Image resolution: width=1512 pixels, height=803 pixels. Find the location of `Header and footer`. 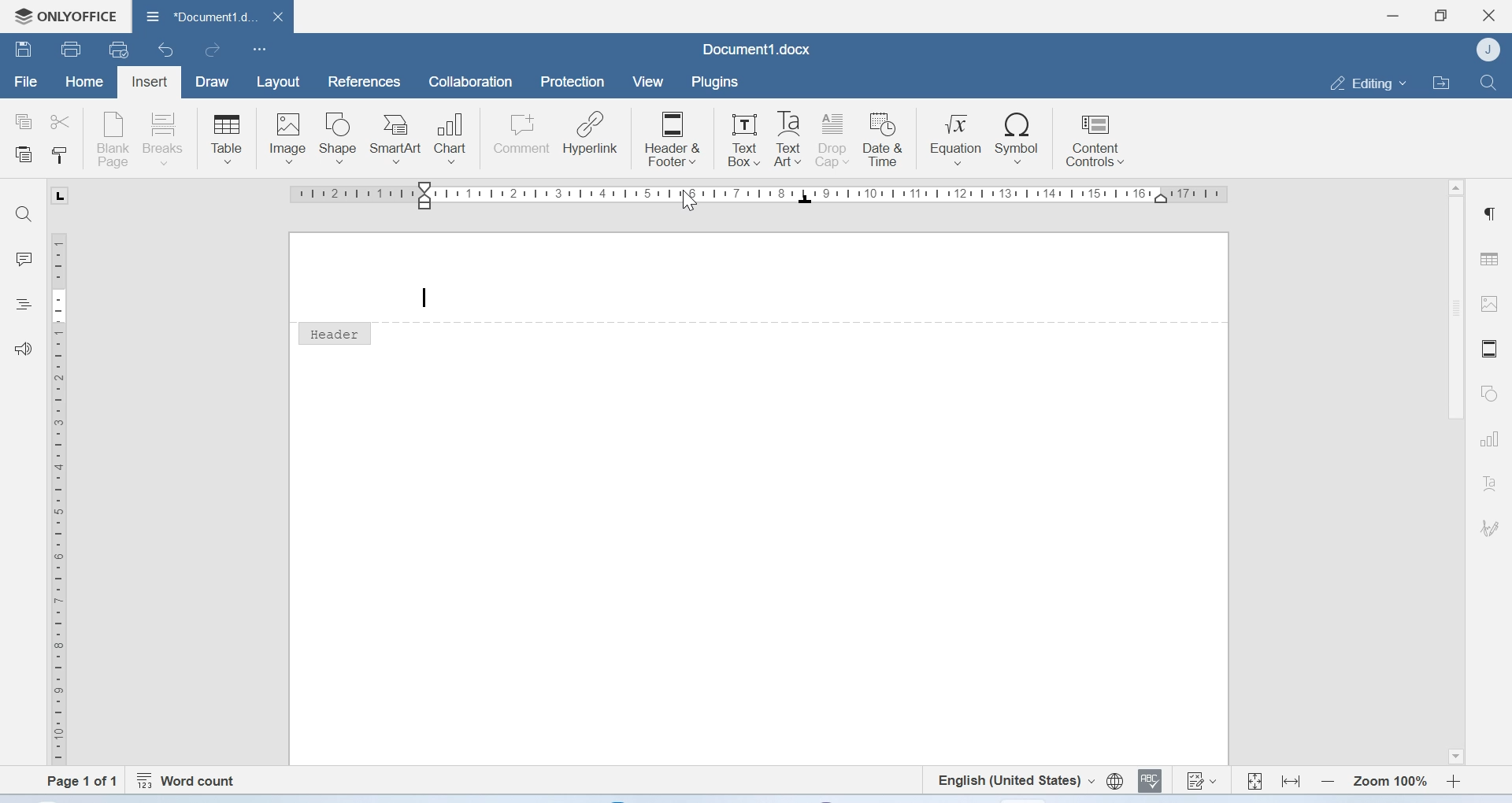

Header and footer is located at coordinates (1488, 349).